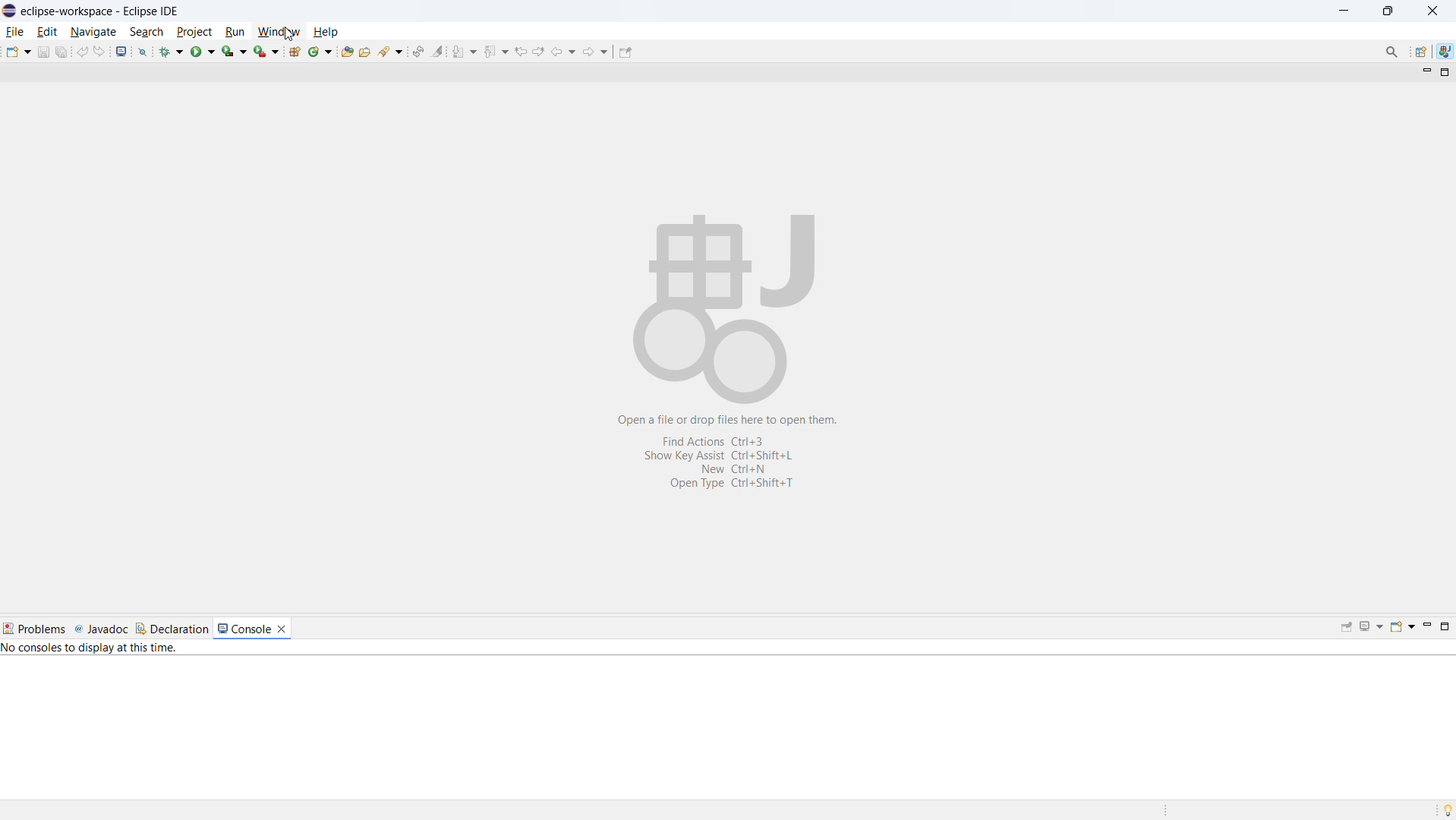 Image resolution: width=1456 pixels, height=820 pixels. What do you see at coordinates (15, 31) in the screenshot?
I see `file` at bounding box center [15, 31].